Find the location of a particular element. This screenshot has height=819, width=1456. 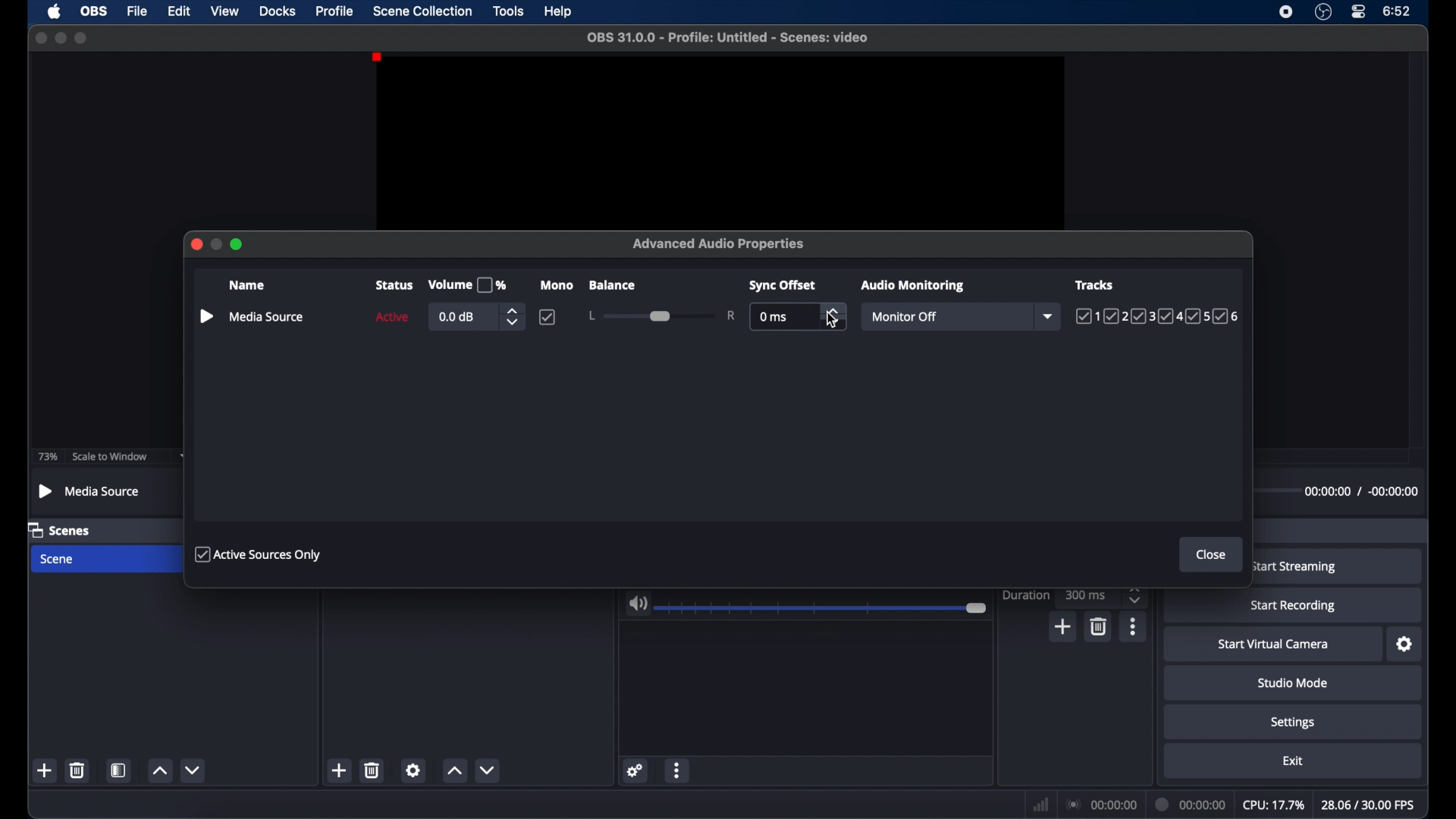

docks is located at coordinates (277, 11).